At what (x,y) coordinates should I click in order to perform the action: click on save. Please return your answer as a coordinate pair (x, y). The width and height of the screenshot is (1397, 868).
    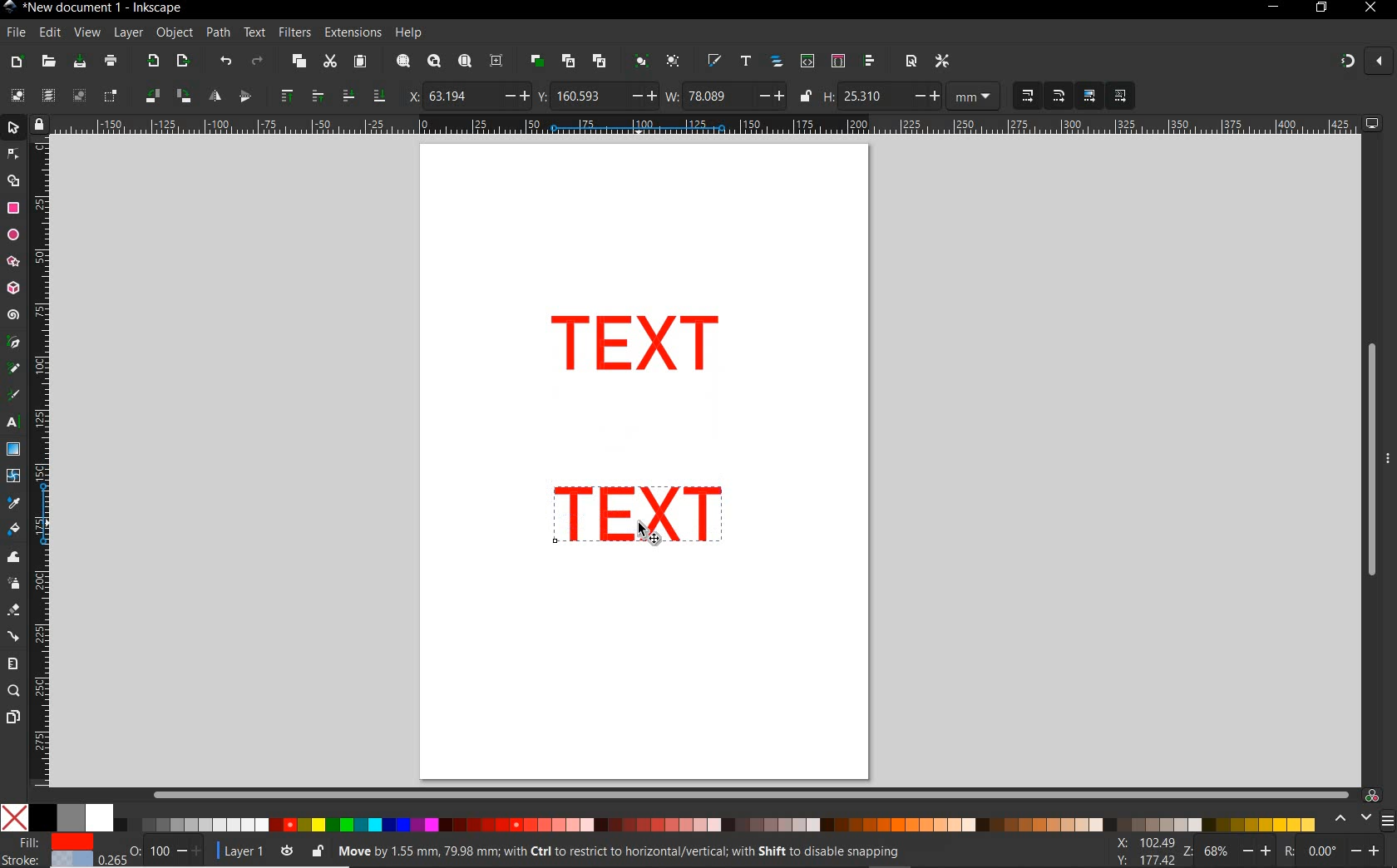
    Looking at the image, I should click on (80, 62).